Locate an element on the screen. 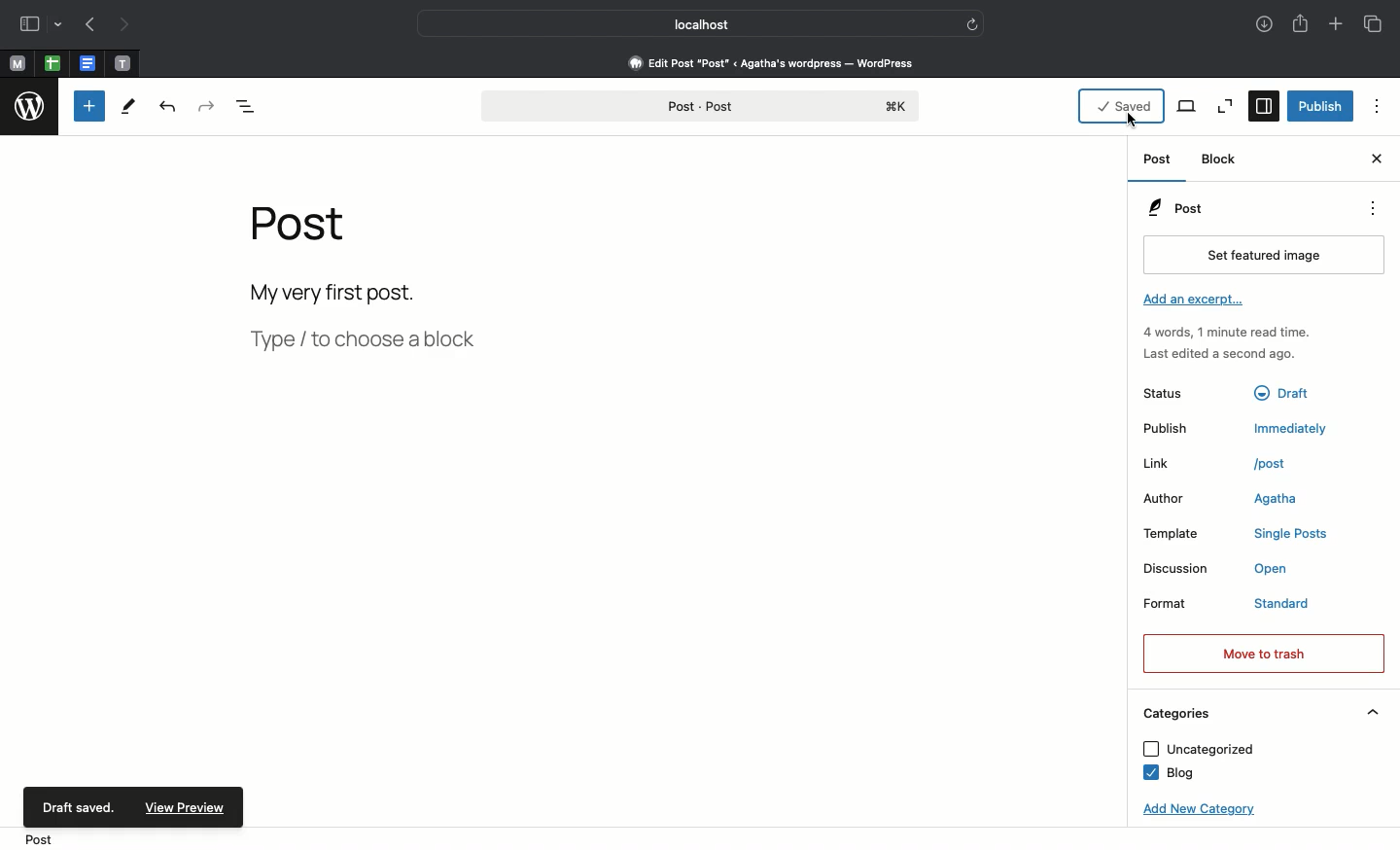 The width and height of the screenshot is (1400, 850). options is located at coordinates (1378, 106).